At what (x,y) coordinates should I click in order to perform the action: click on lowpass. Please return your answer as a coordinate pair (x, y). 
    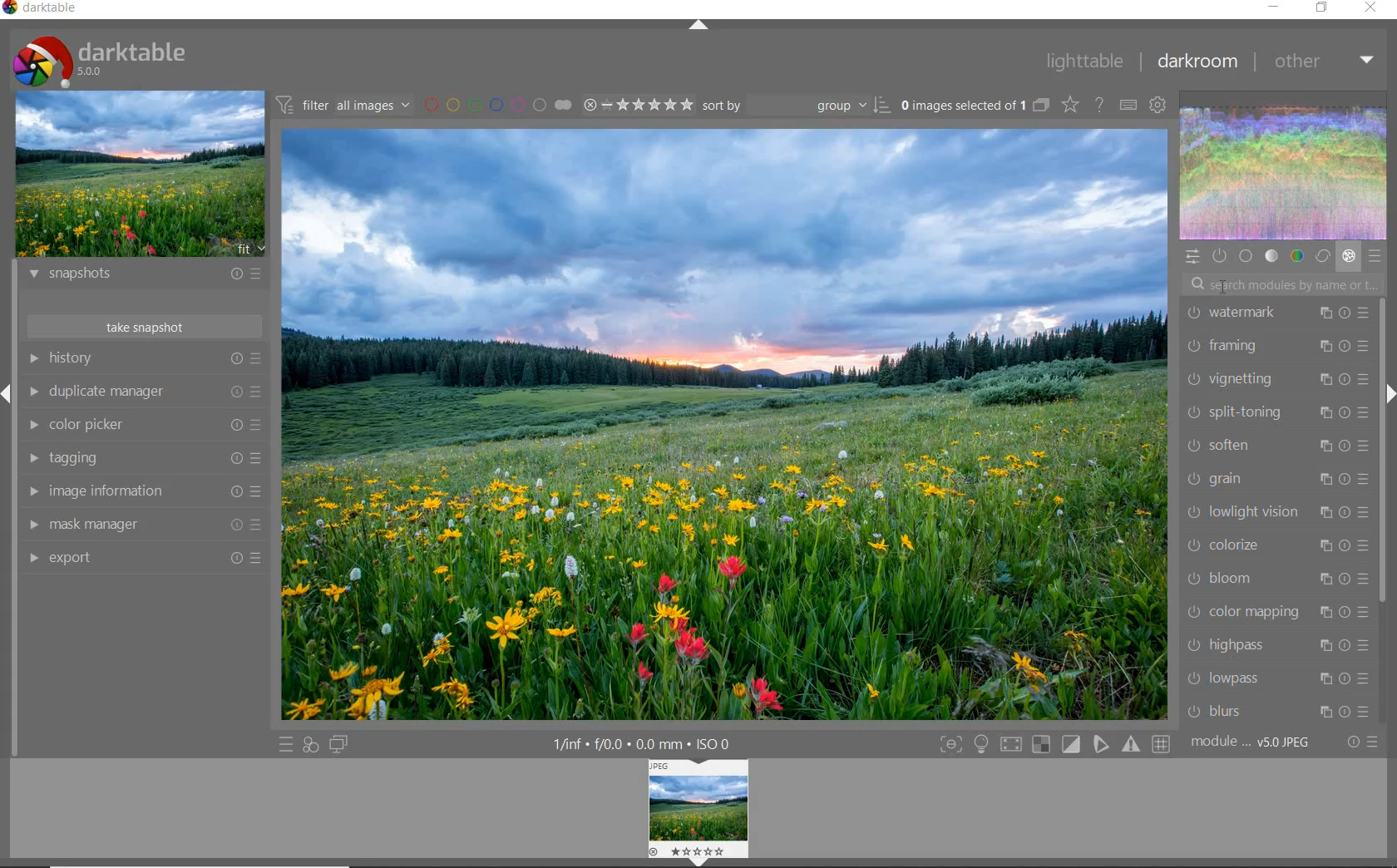
    Looking at the image, I should click on (1273, 678).